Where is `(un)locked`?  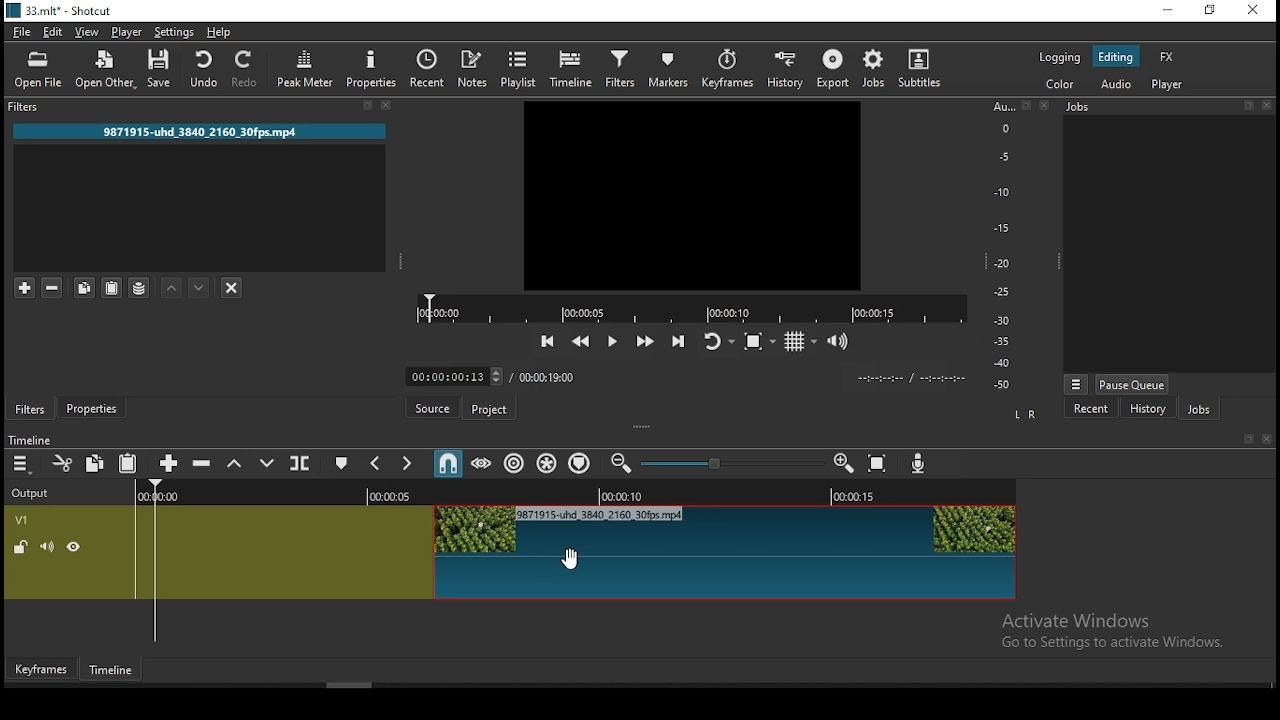 (un)locked is located at coordinates (22, 548).